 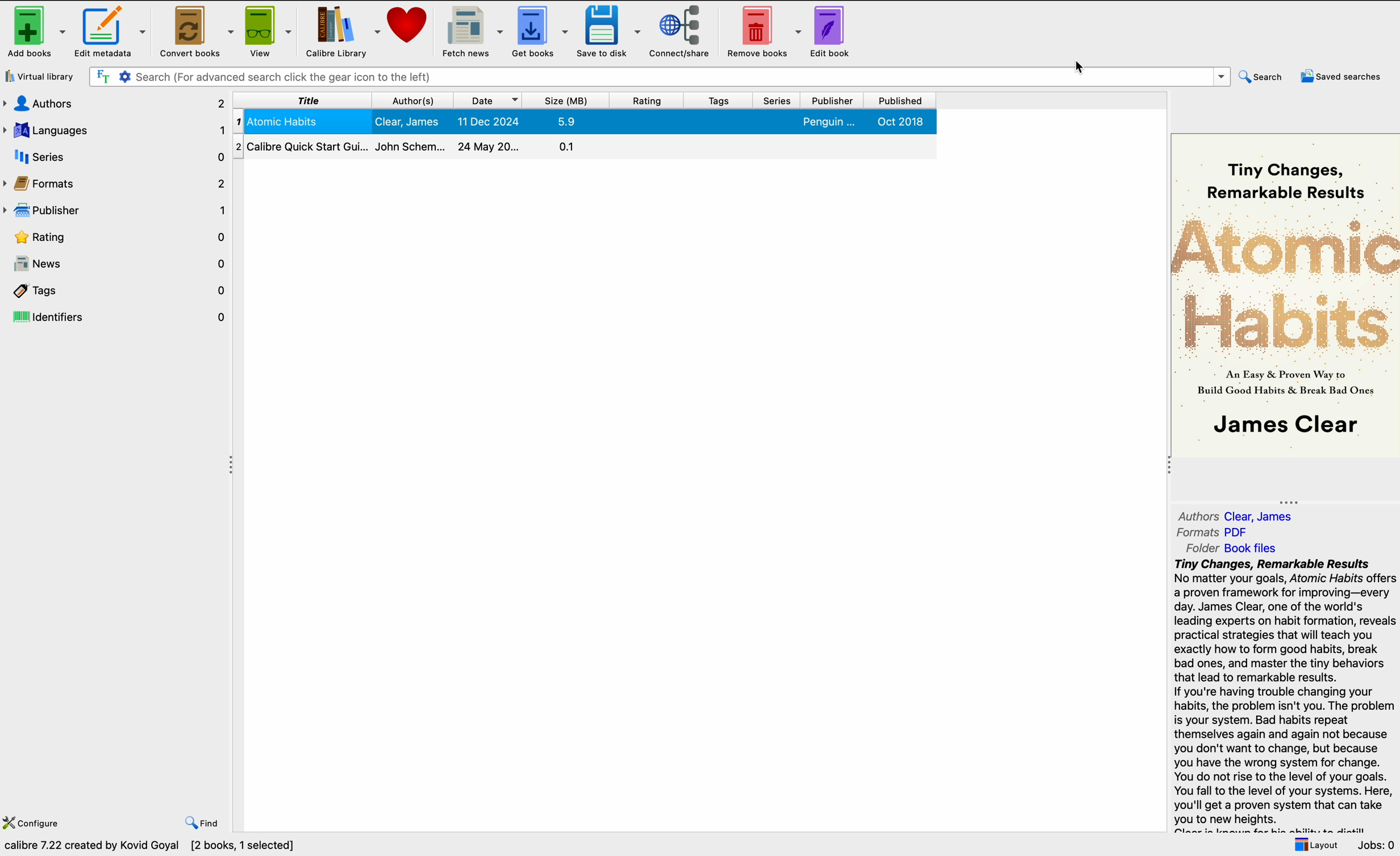 What do you see at coordinates (35, 31) in the screenshot?
I see `add books` at bounding box center [35, 31].